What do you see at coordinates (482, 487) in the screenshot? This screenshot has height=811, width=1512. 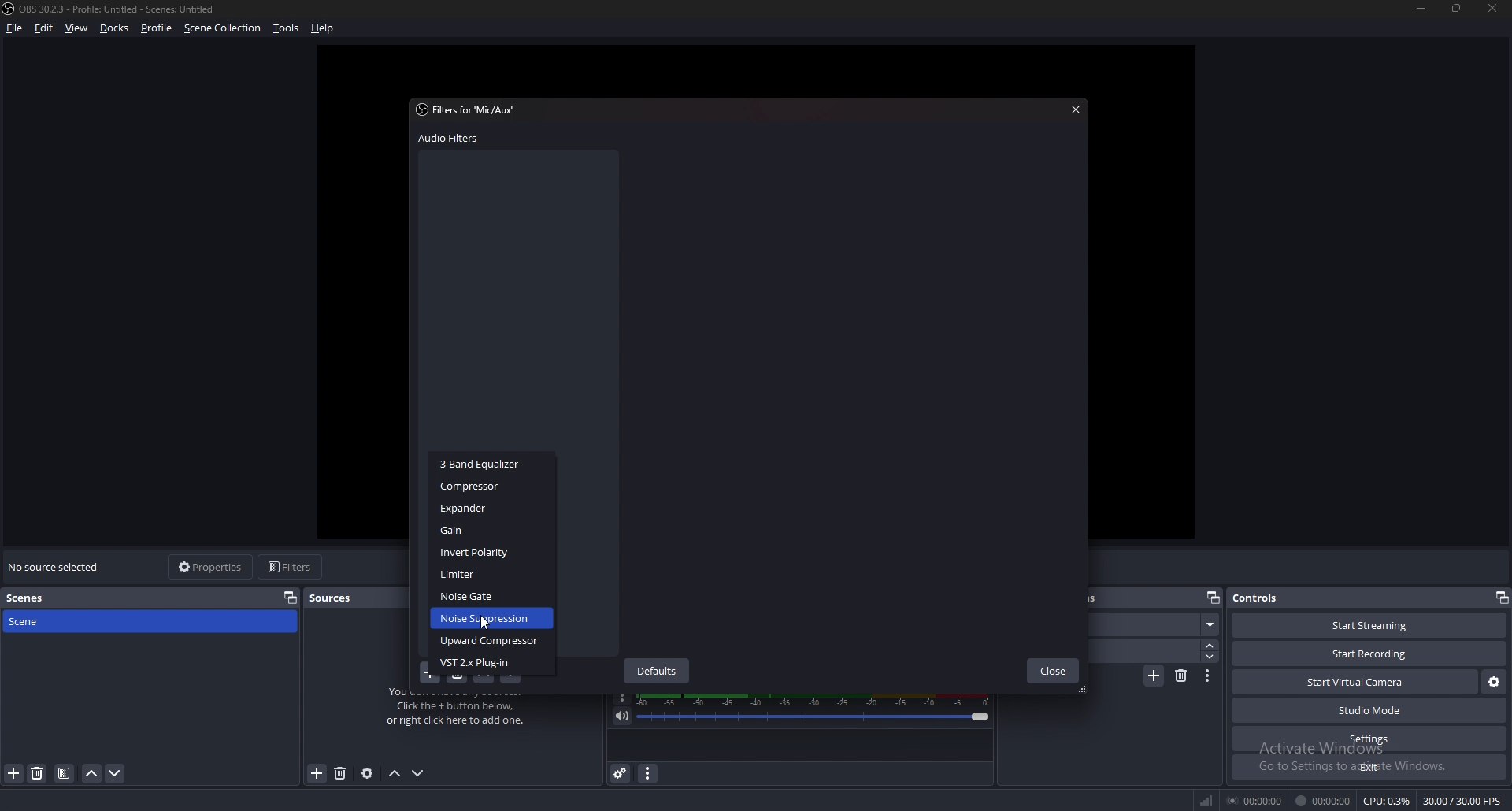 I see `‘Compressor` at bounding box center [482, 487].